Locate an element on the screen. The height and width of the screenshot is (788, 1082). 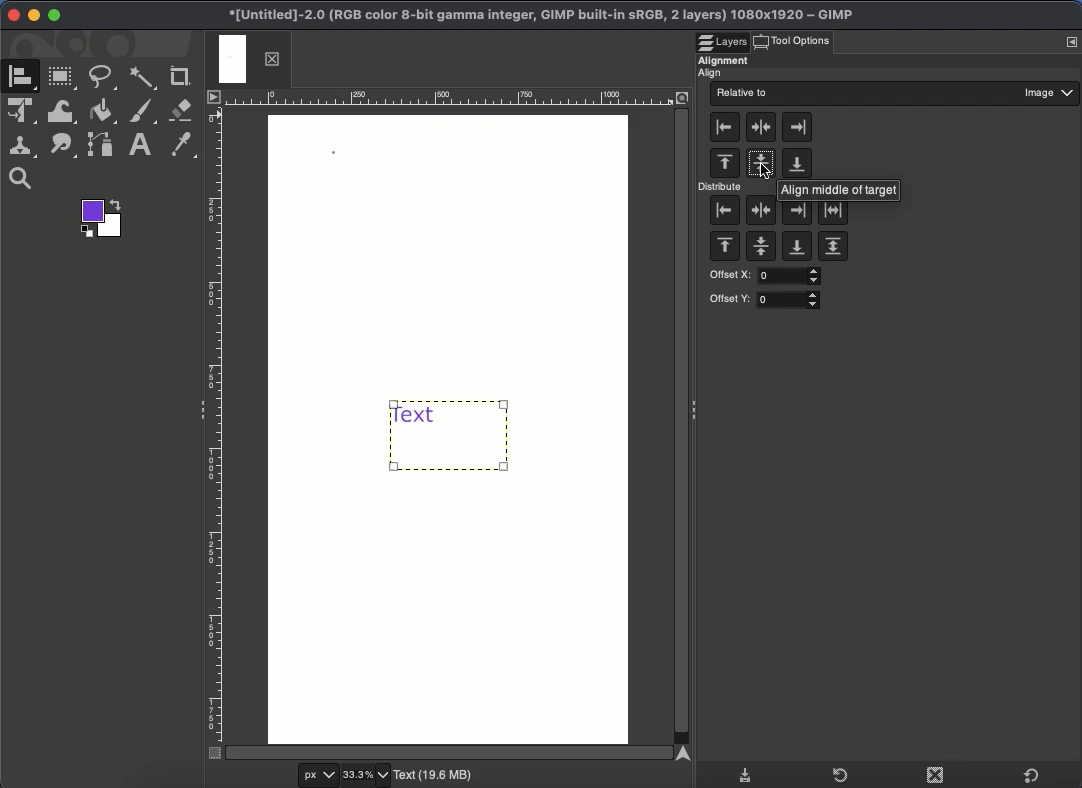
Layers is located at coordinates (724, 36).